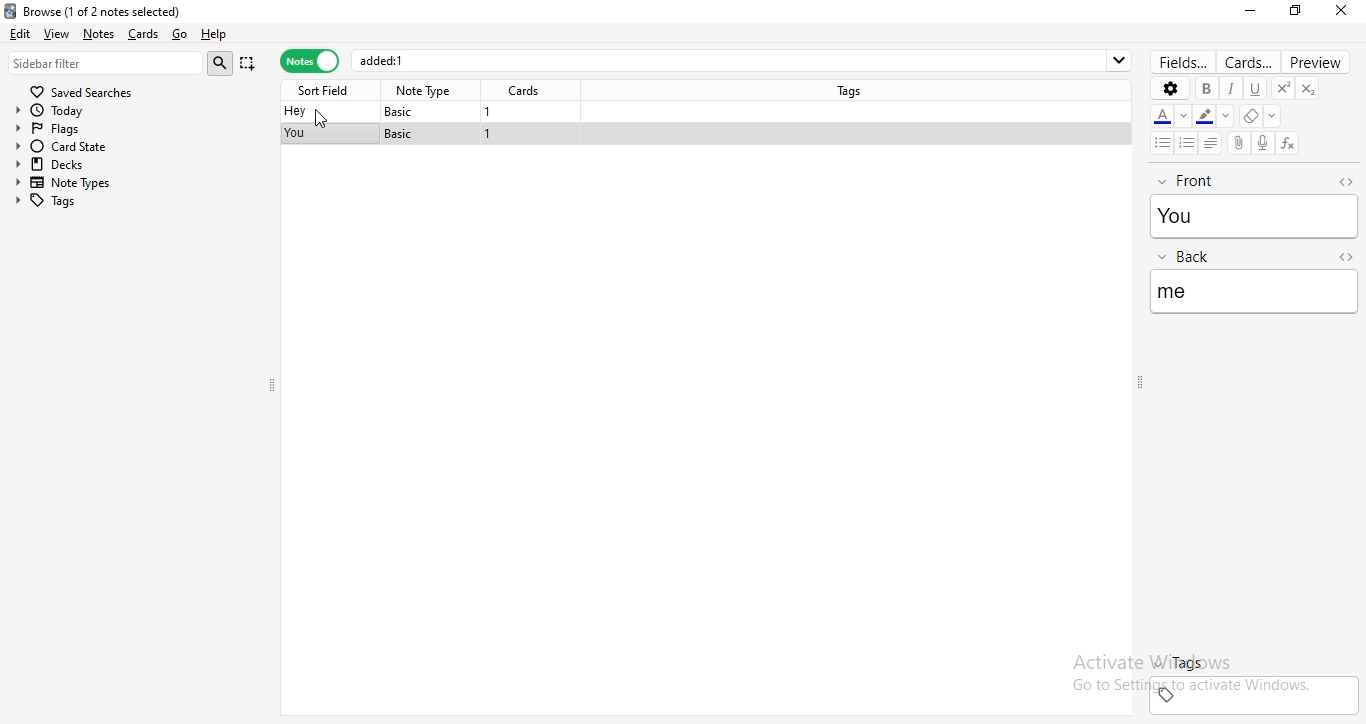 This screenshot has width=1366, height=724. What do you see at coordinates (178, 35) in the screenshot?
I see `go` at bounding box center [178, 35].